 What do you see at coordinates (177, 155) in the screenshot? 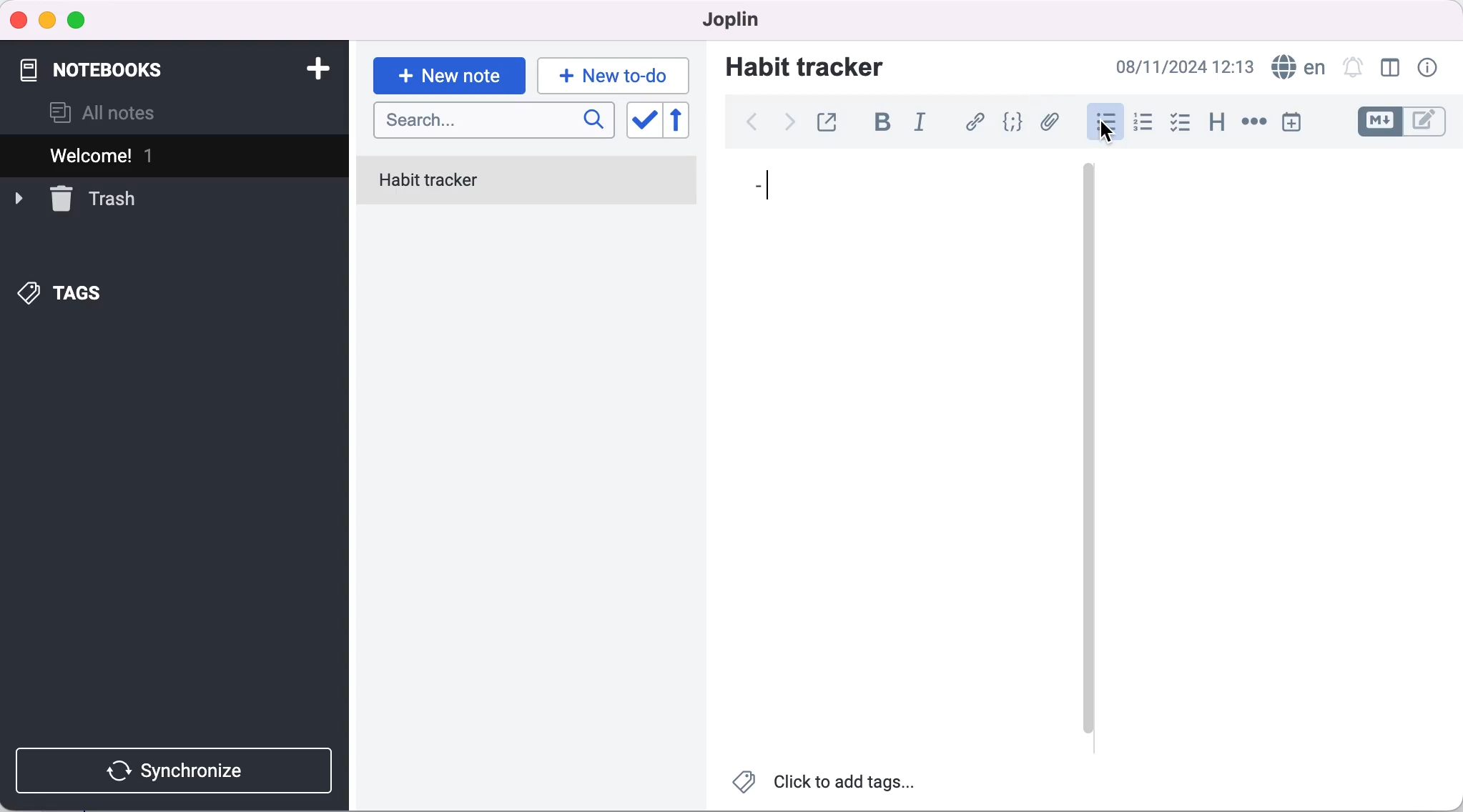
I see `welcome 1` at bounding box center [177, 155].